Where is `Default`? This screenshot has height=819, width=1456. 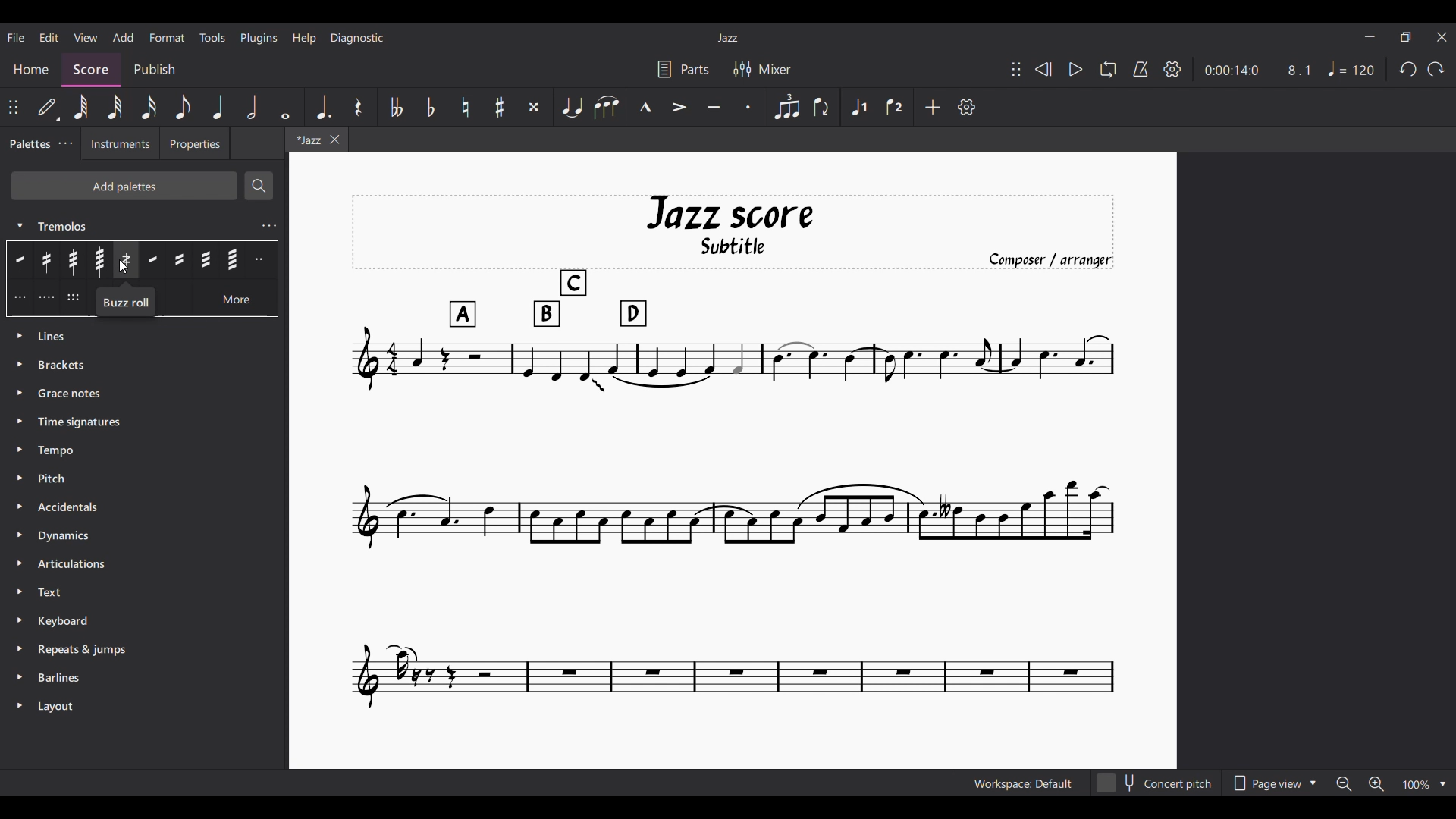
Default is located at coordinates (49, 107).